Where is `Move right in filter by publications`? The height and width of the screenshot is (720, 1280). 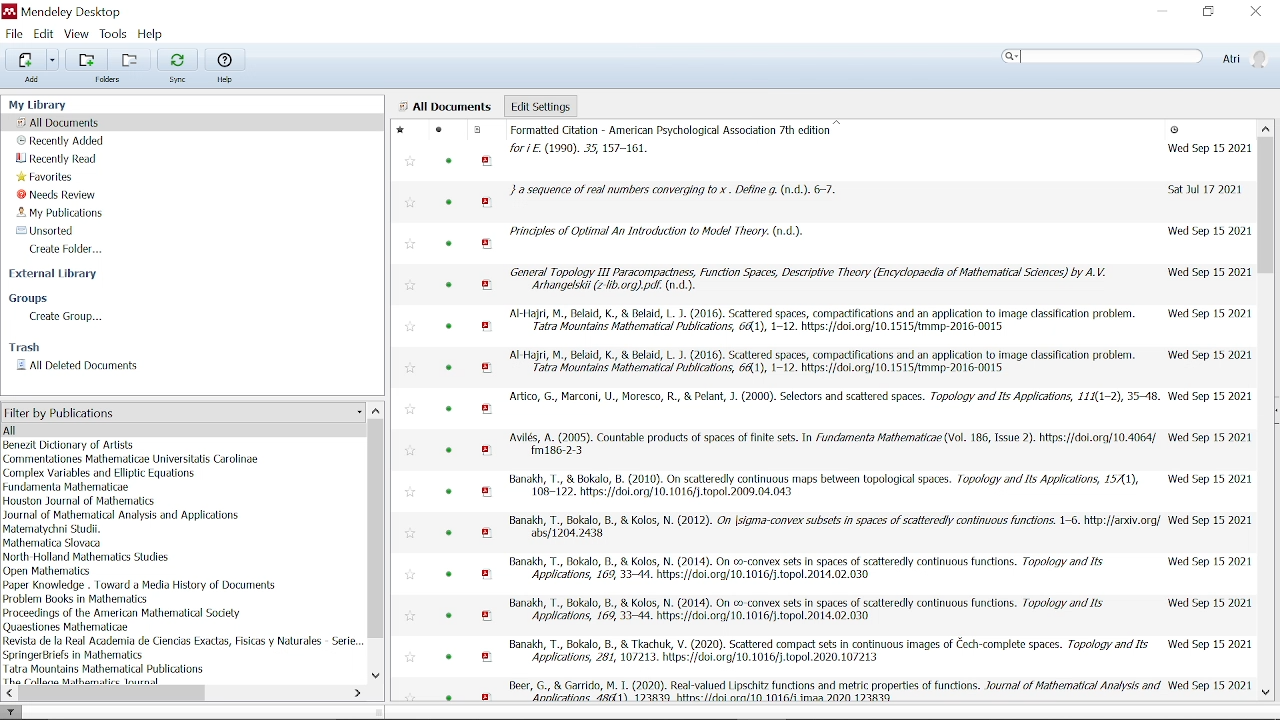
Move right in filter by publications is located at coordinates (356, 693).